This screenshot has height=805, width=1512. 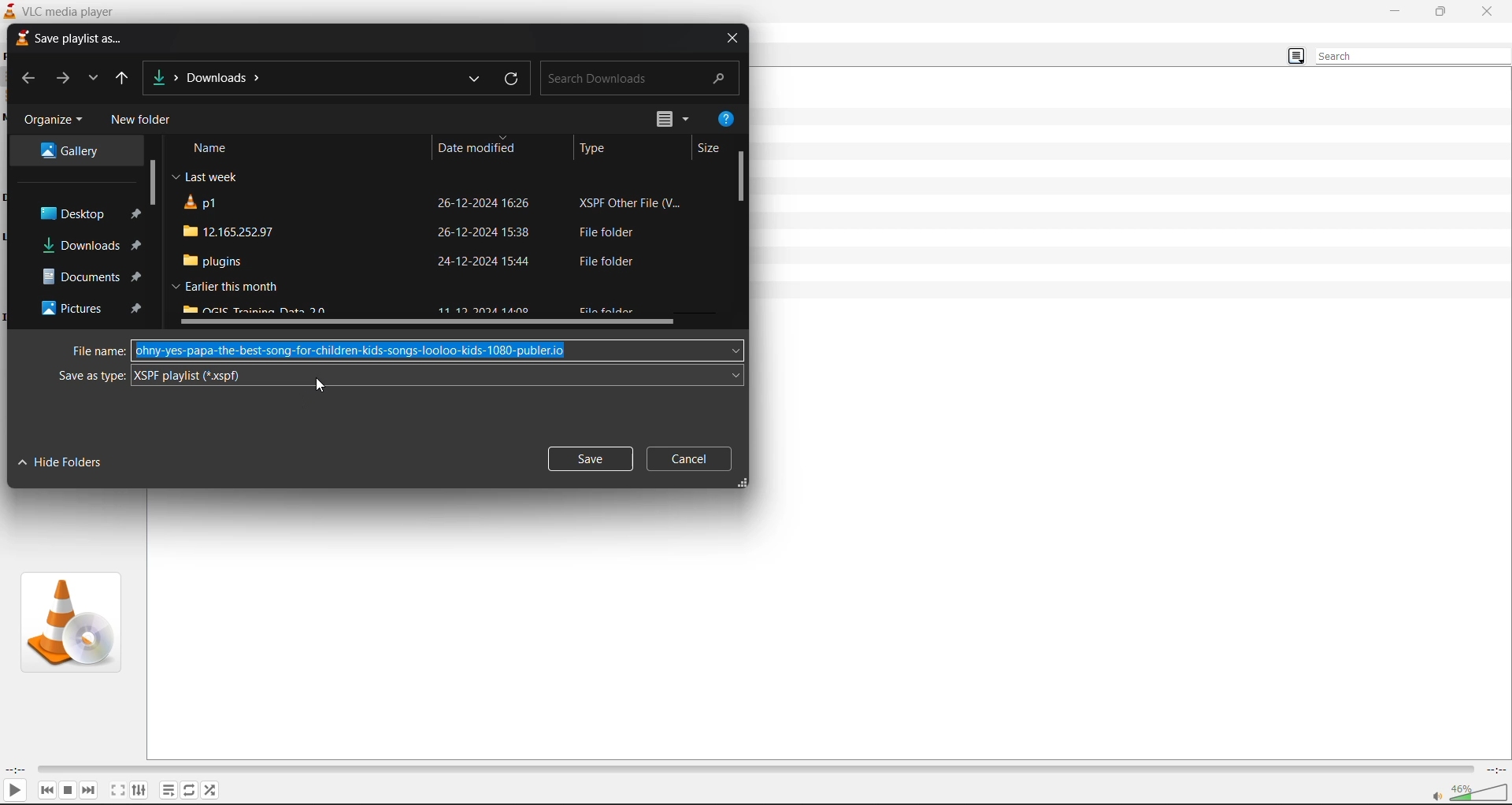 I want to click on hide folders, so click(x=61, y=462).